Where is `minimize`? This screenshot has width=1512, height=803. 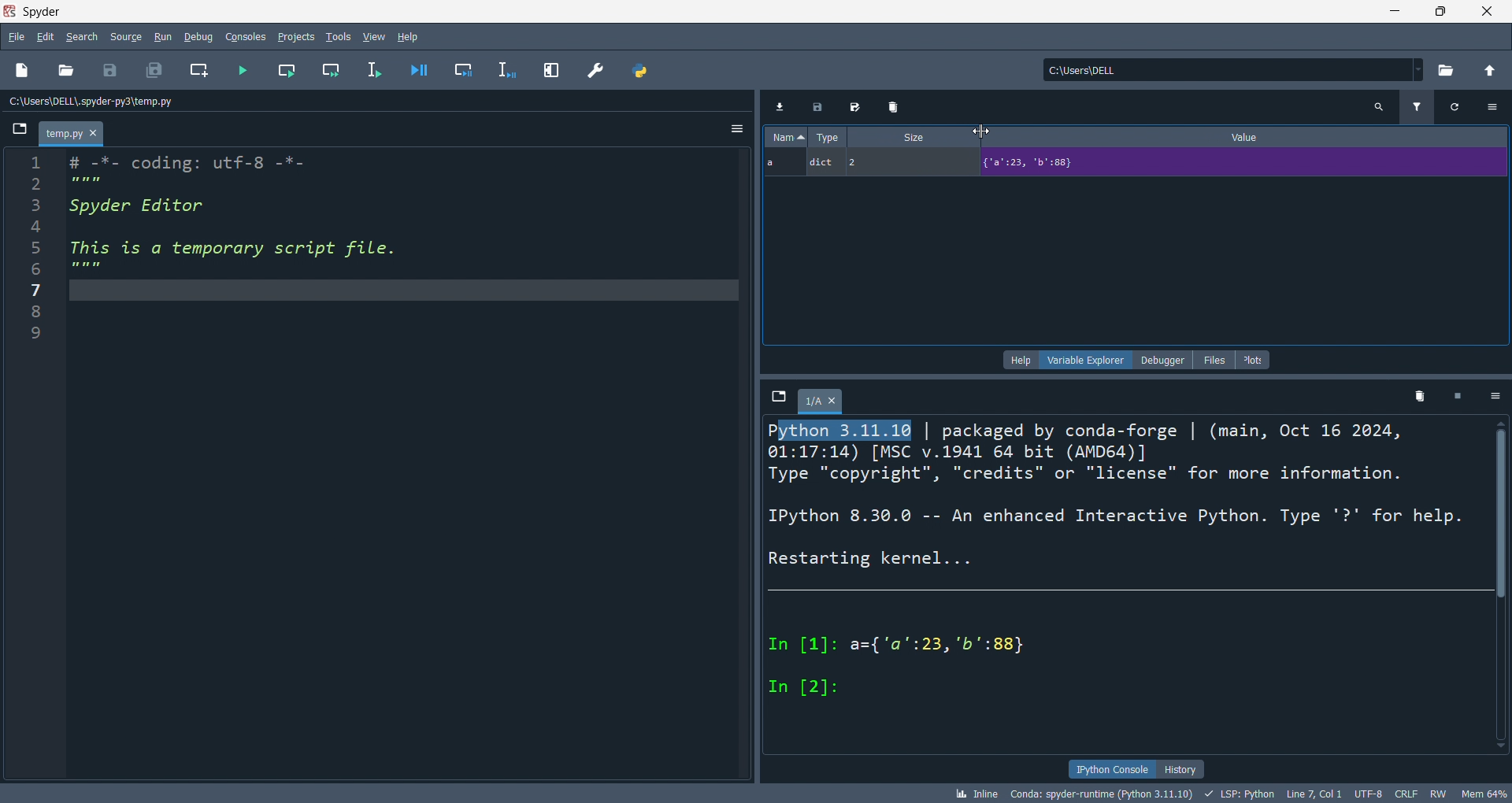 minimize is located at coordinates (1401, 12).